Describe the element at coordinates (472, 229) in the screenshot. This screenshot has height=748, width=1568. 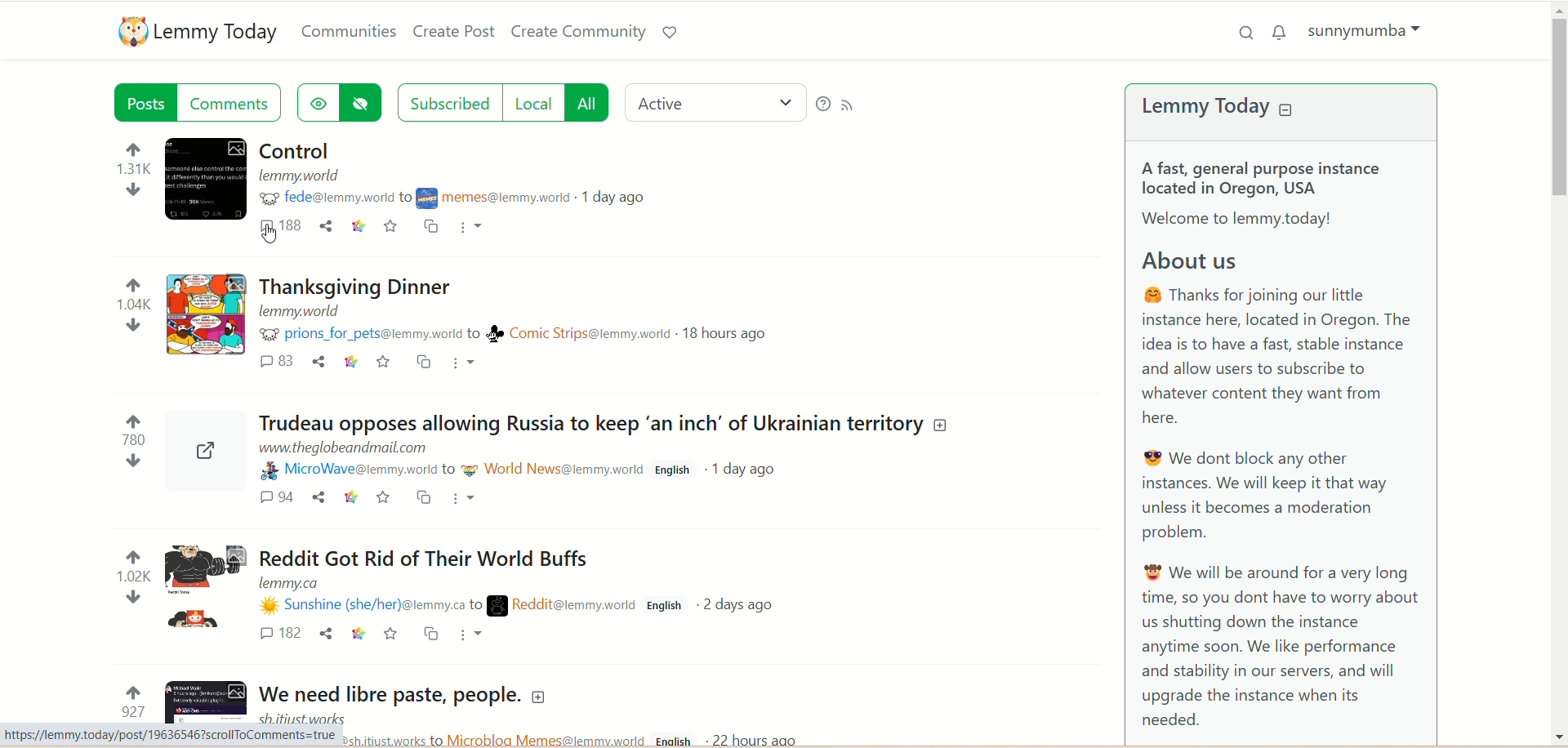
I see `more` at that location.